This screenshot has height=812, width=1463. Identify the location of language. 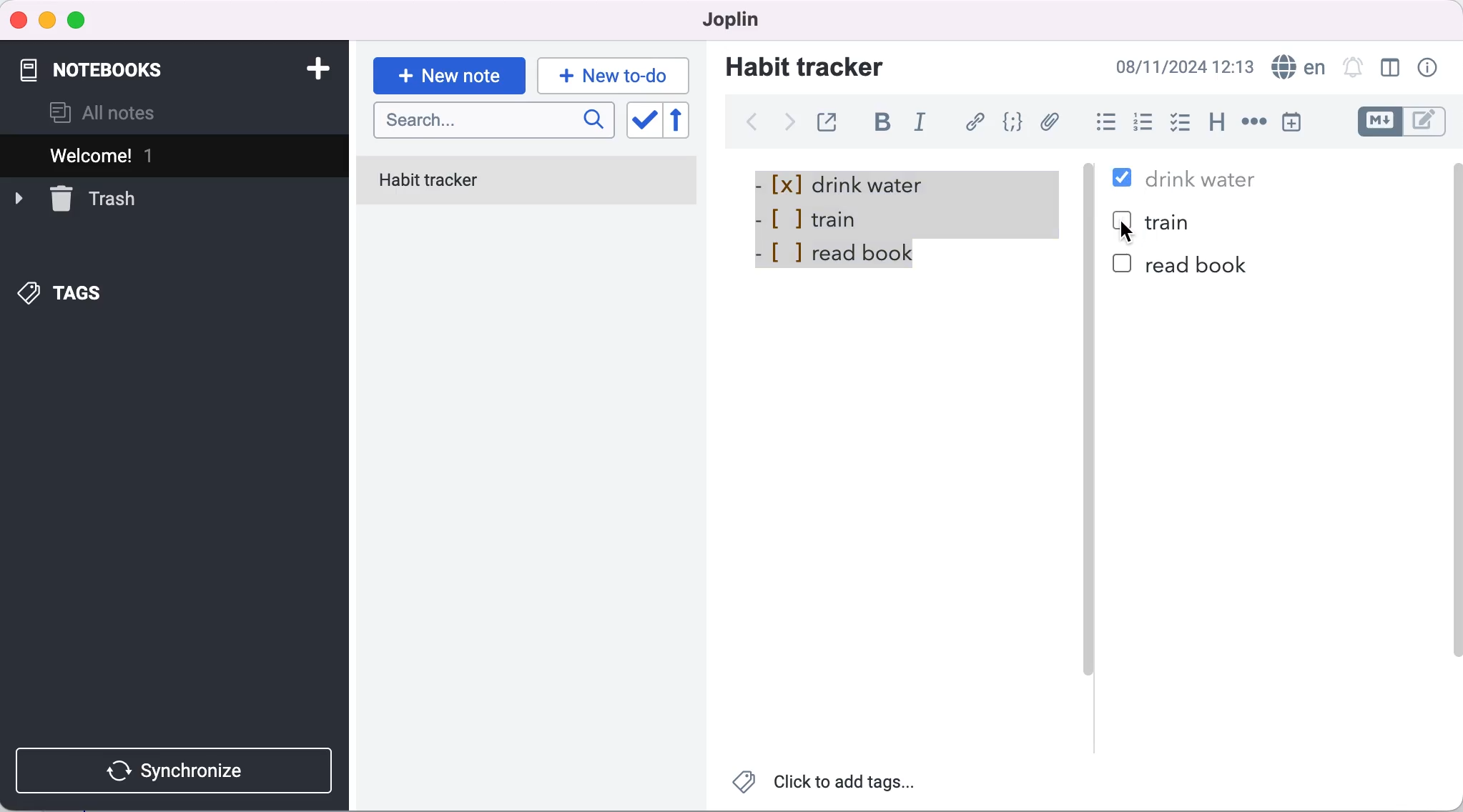
(1296, 67).